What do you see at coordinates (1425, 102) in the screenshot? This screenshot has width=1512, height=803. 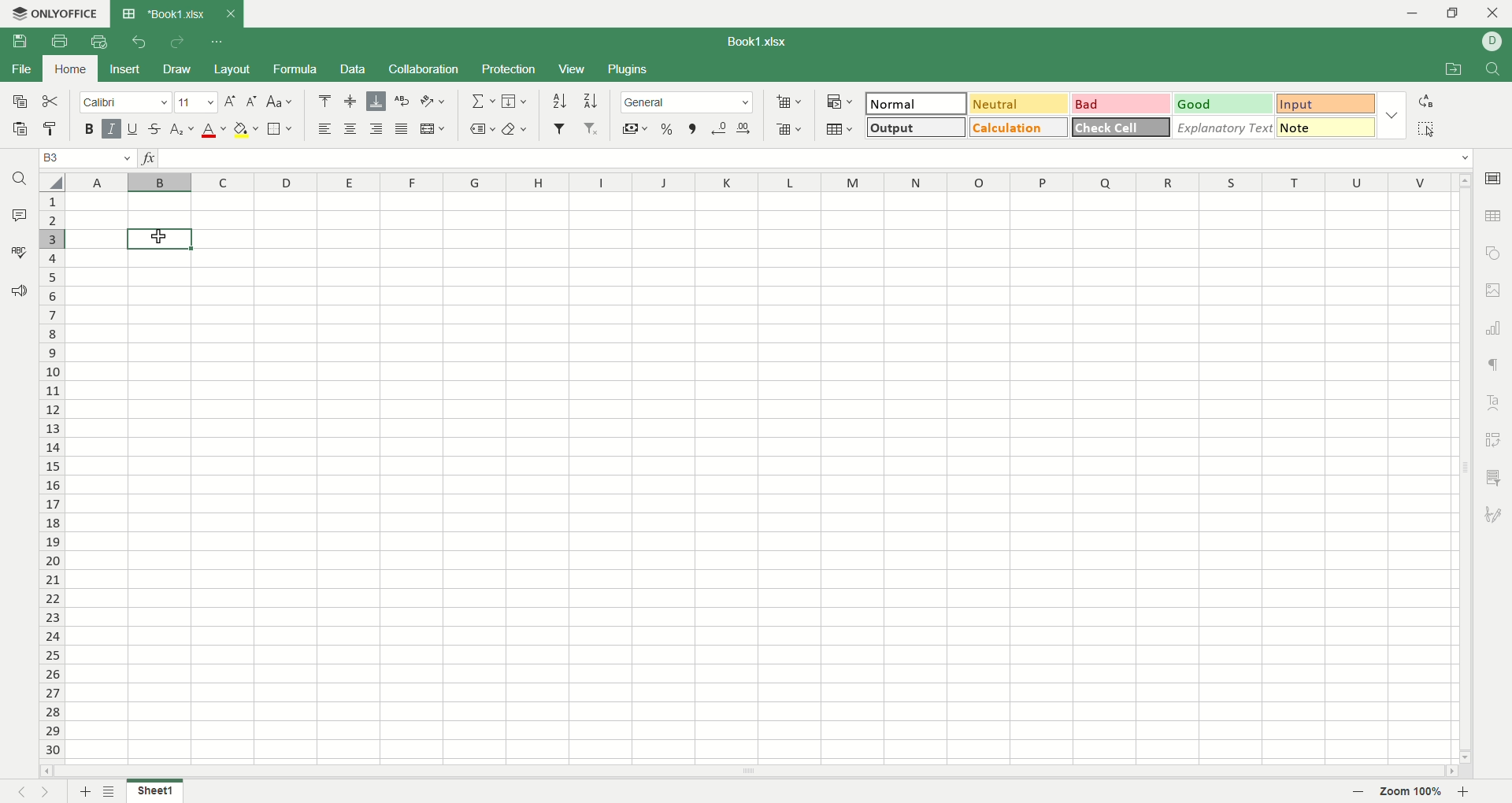 I see `replace` at bounding box center [1425, 102].